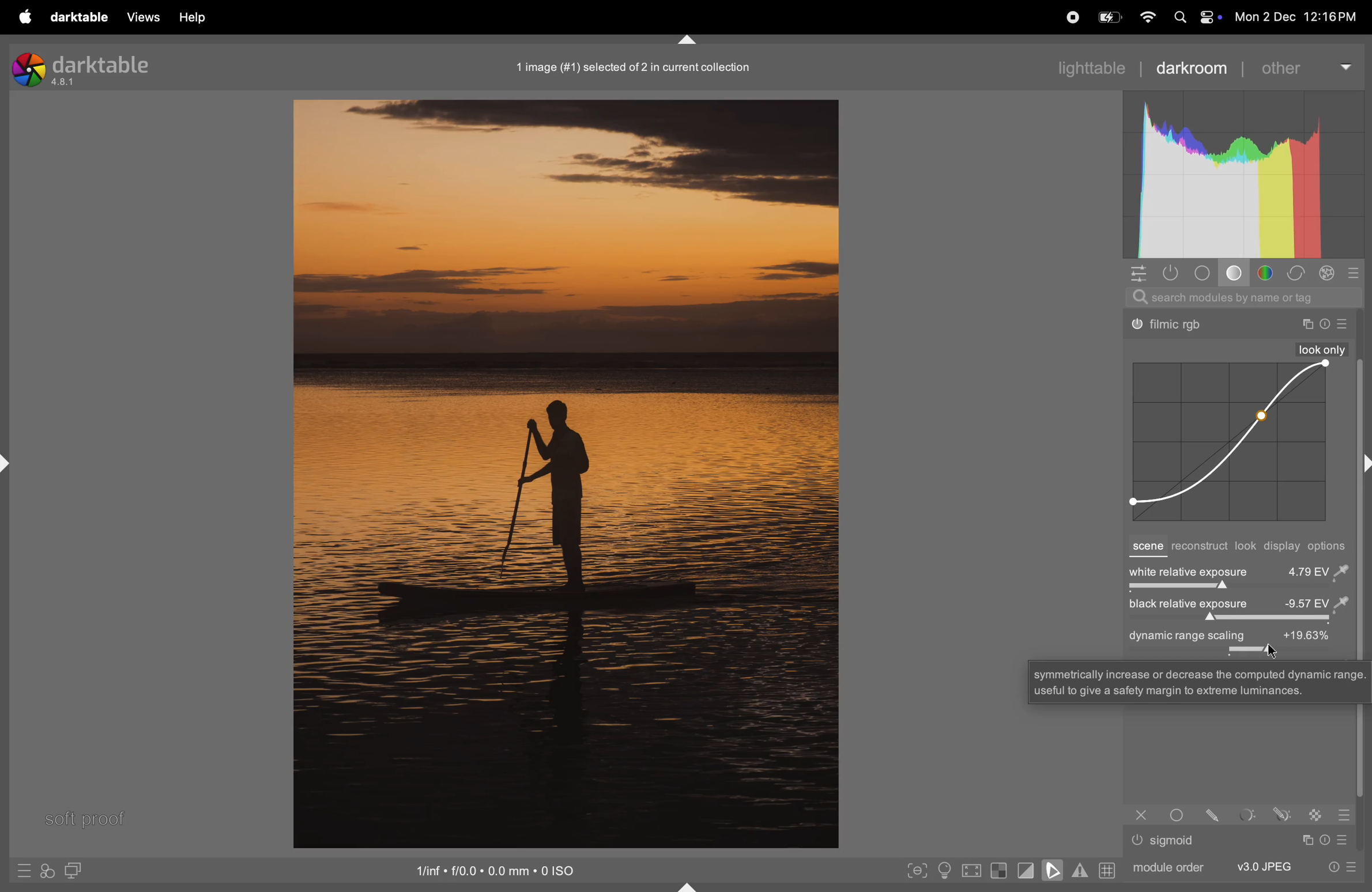  What do you see at coordinates (1246, 546) in the screenshot?
I see `look` at bounding box center [1246, 546].